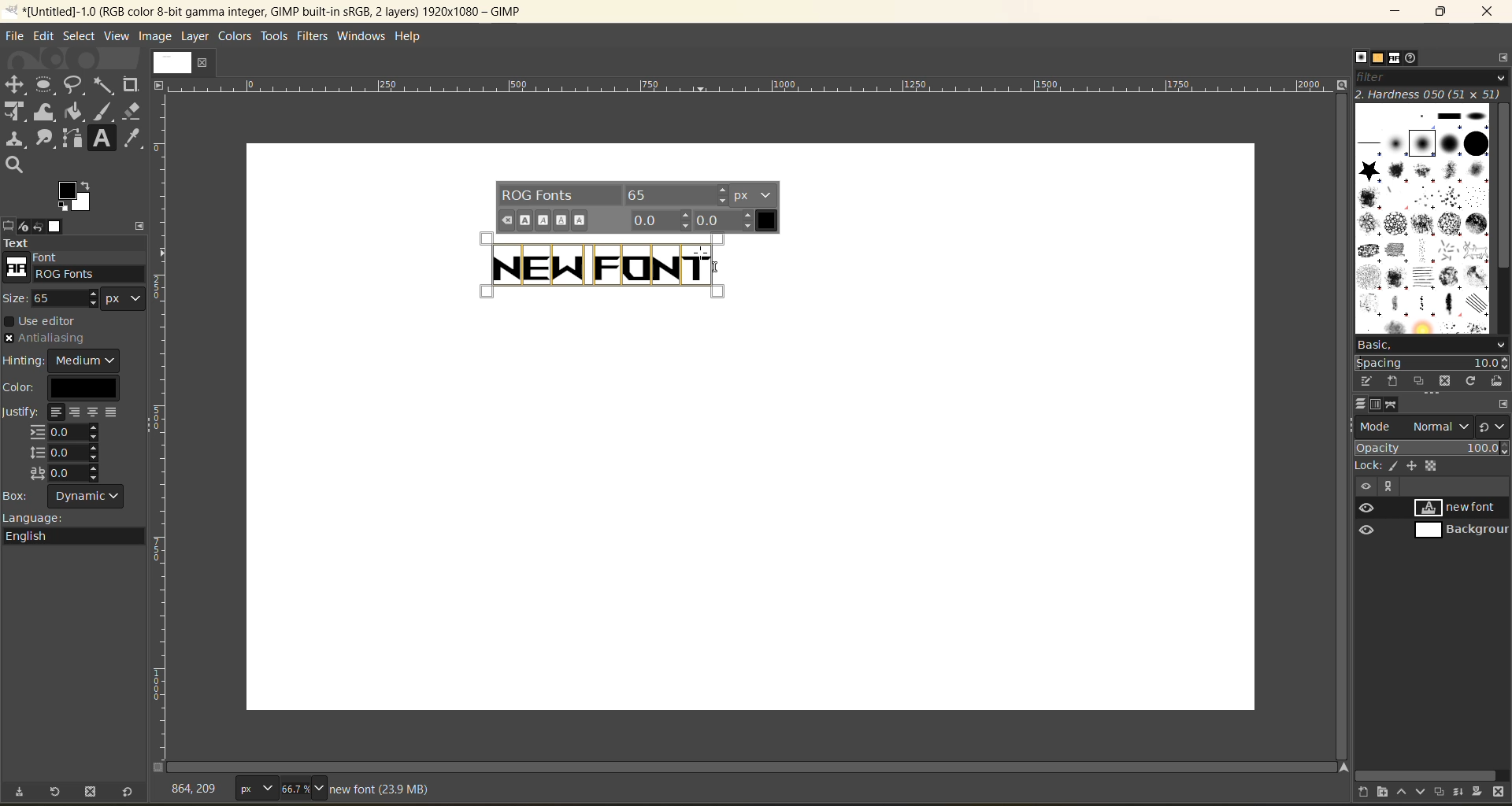 The image size is (1512, 806). I want to click on raise this layer, so click(1406, 790).